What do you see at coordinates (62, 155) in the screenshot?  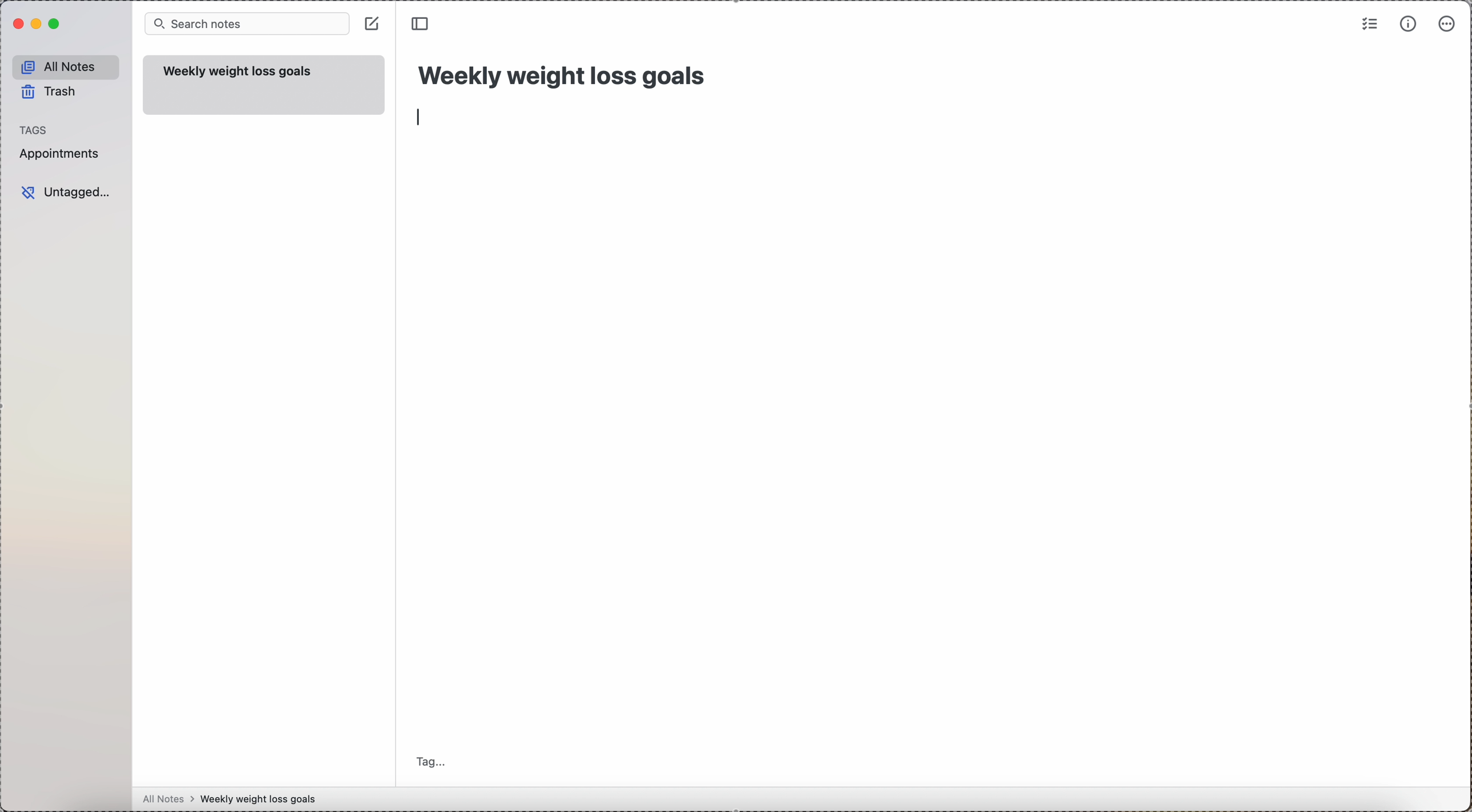 I see `appointments` at bounding box center [62, 155].